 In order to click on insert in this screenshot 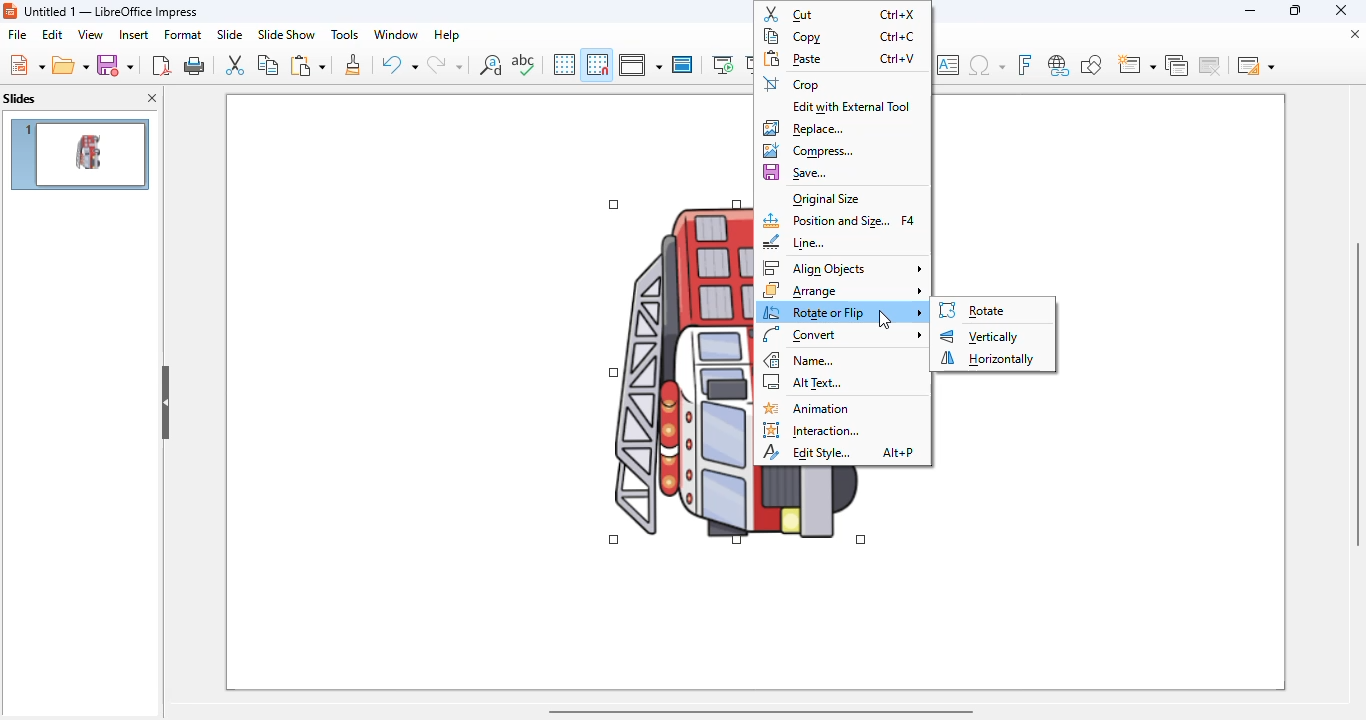, I will do `click(134, 35)`.